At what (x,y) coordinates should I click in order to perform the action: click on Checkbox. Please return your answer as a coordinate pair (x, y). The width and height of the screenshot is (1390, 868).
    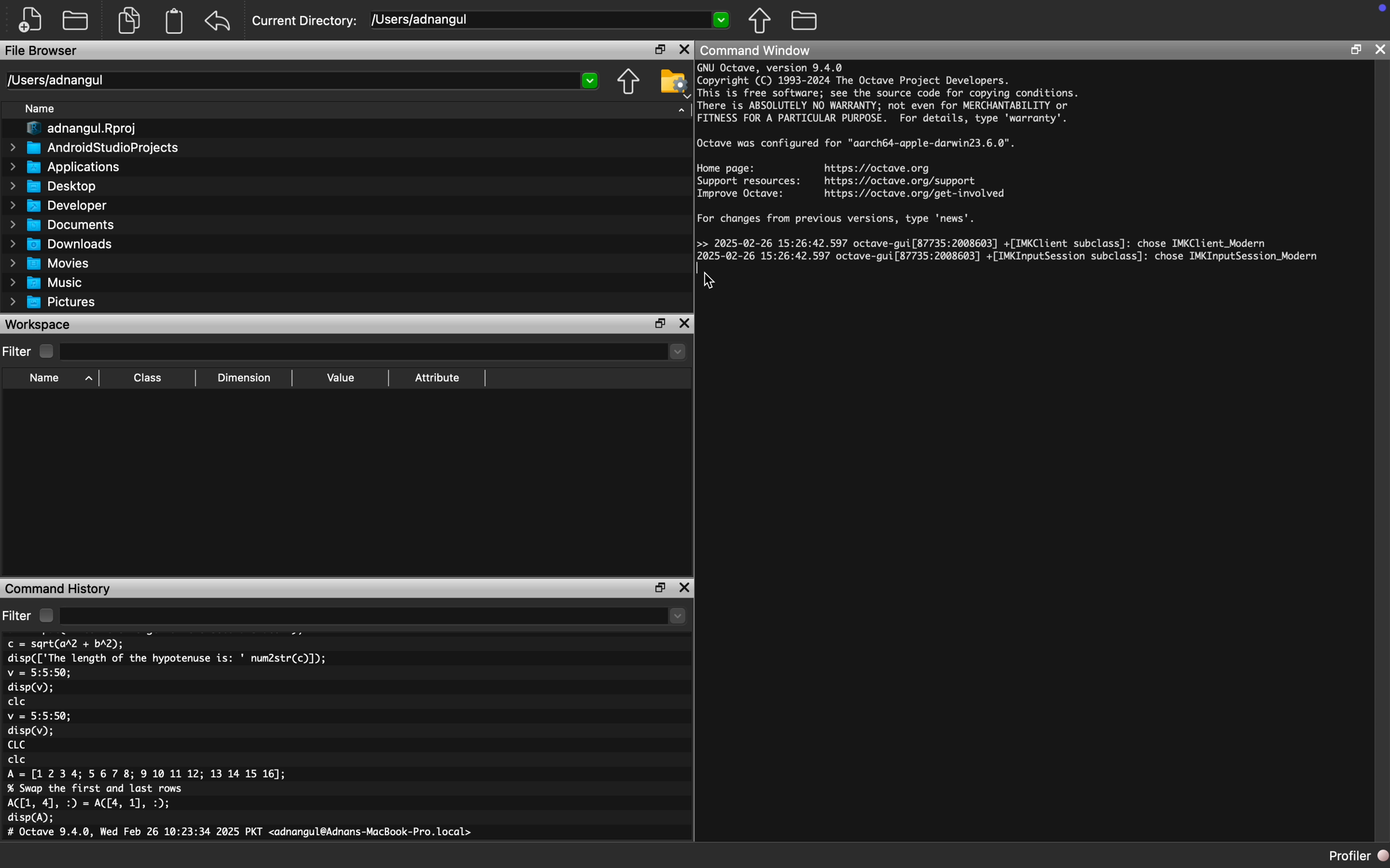
    Looking at the image, I should click on (47, 351).